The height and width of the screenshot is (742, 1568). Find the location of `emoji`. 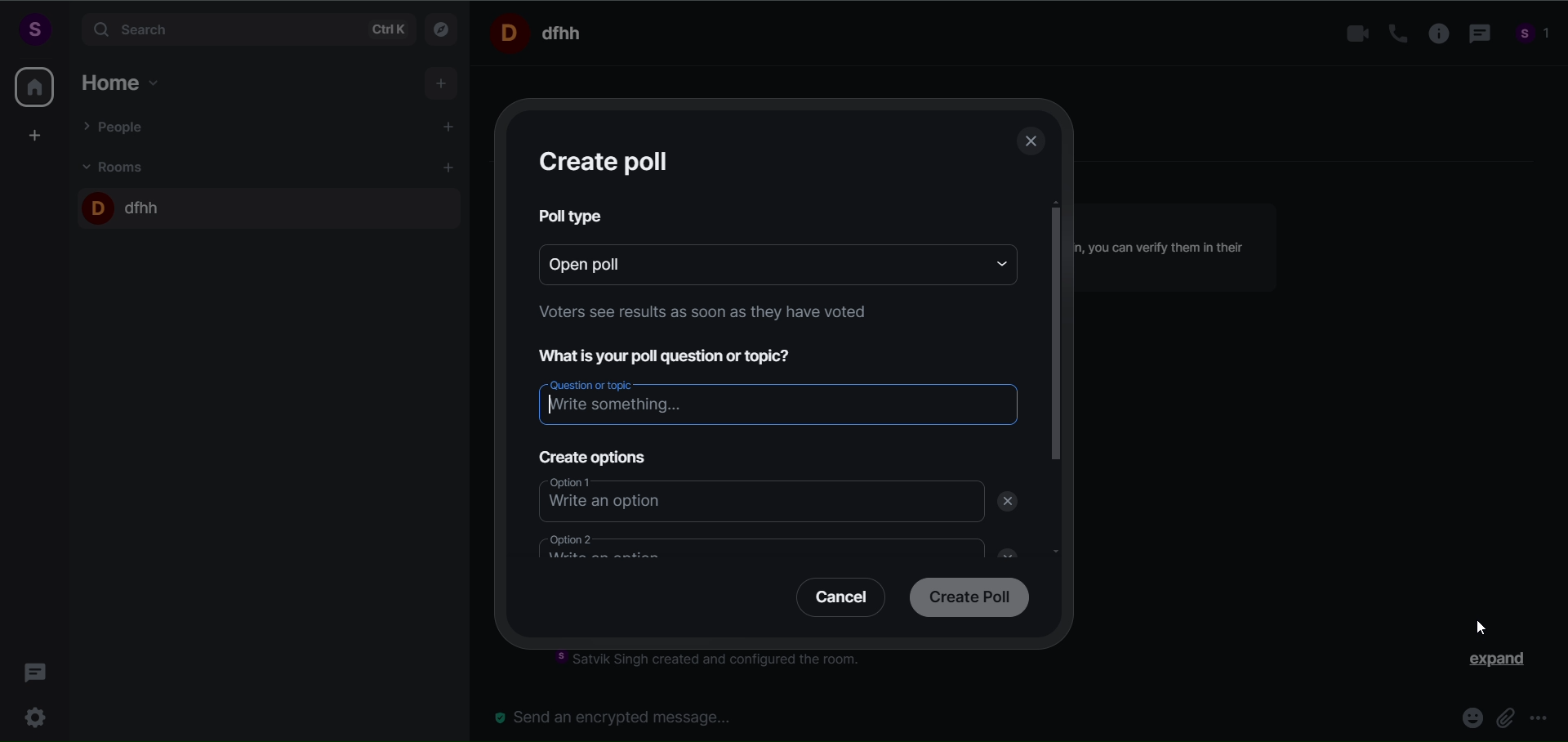

emoji is located at coordinates (1467, 720).